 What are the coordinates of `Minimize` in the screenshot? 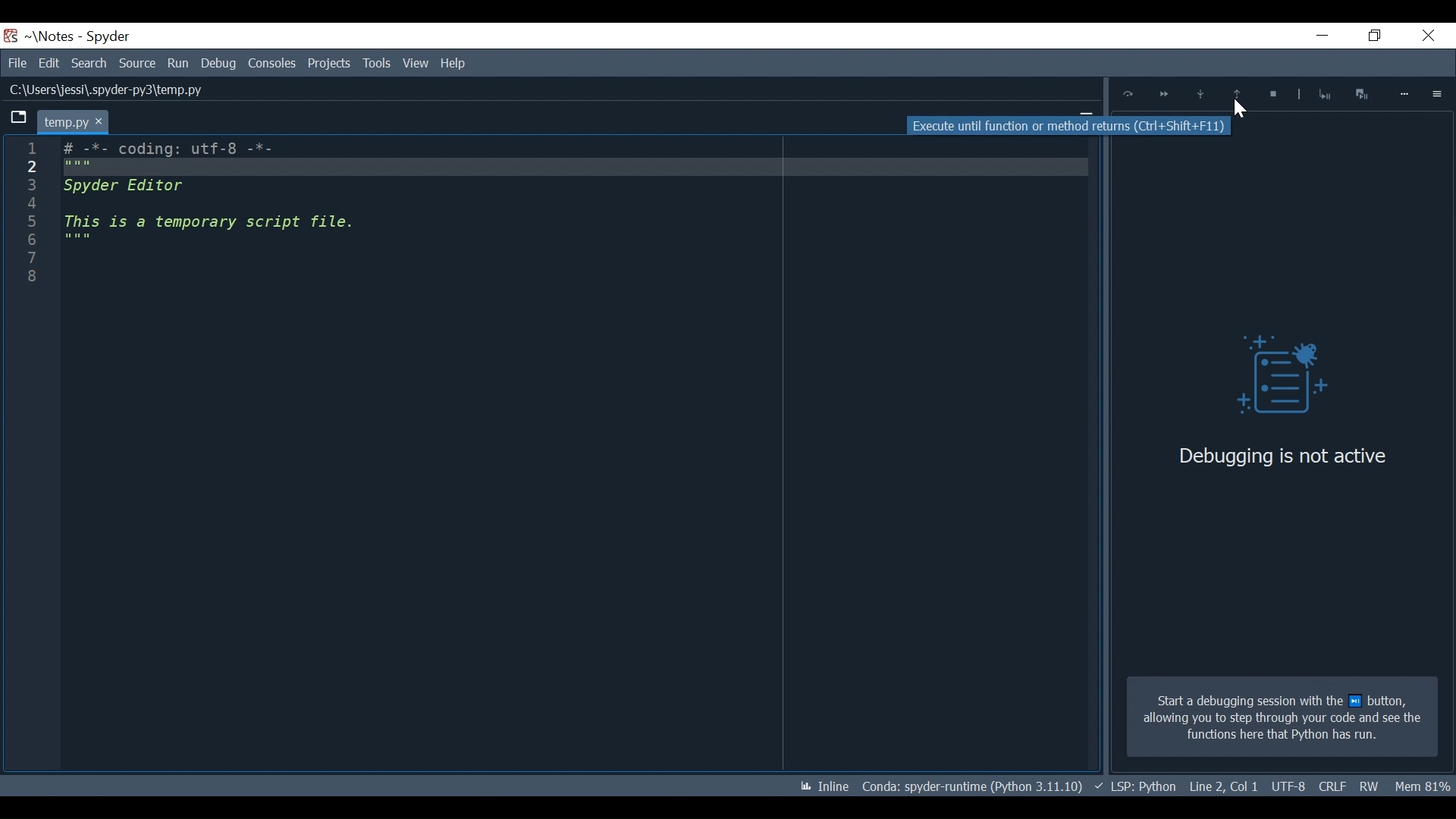 It's located at (1313, 37).